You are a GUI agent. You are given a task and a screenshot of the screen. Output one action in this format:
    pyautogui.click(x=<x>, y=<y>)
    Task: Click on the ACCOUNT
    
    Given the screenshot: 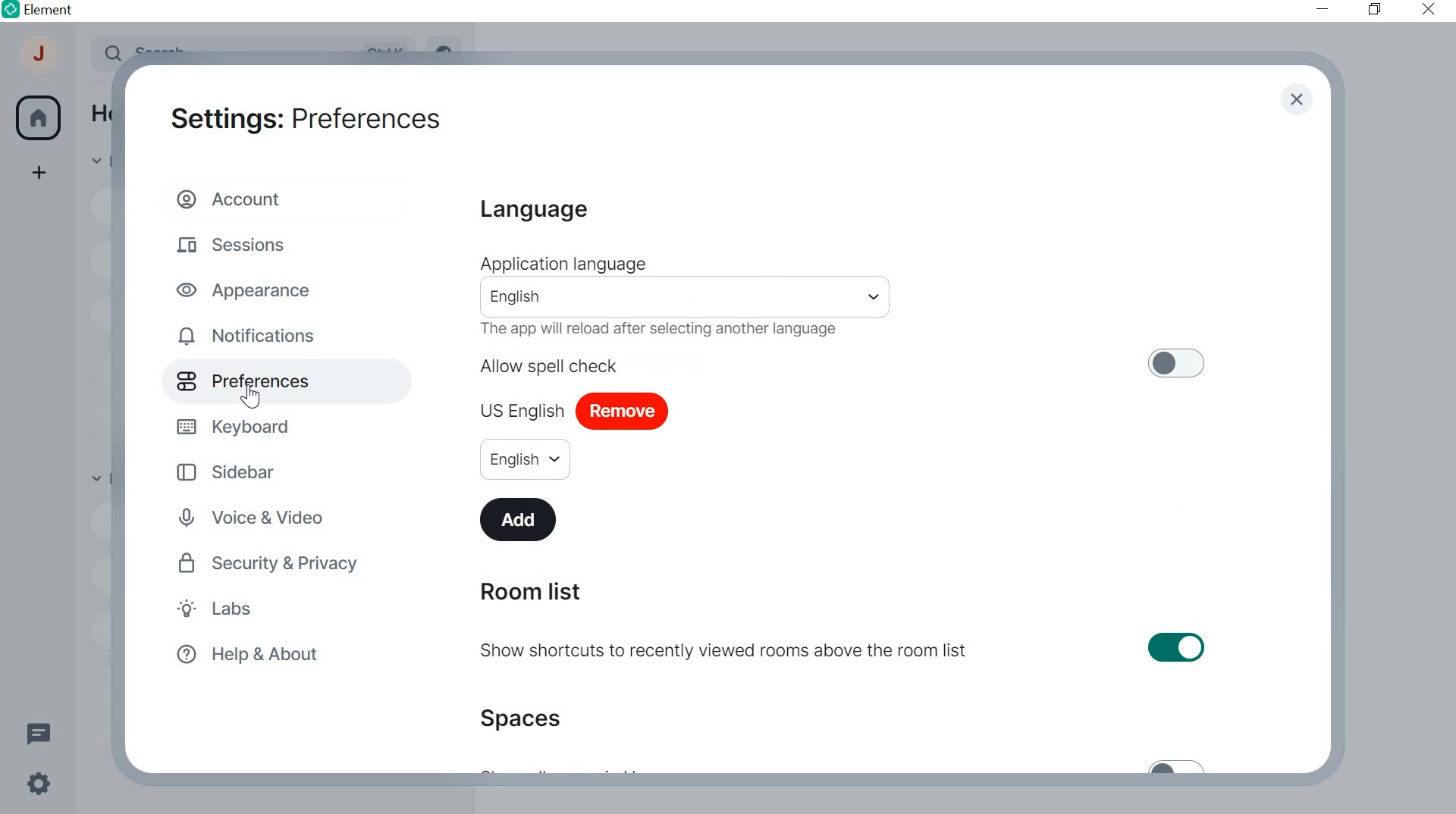 What is the action you would take?
    pyautogui.click(x=40, y=58)
    